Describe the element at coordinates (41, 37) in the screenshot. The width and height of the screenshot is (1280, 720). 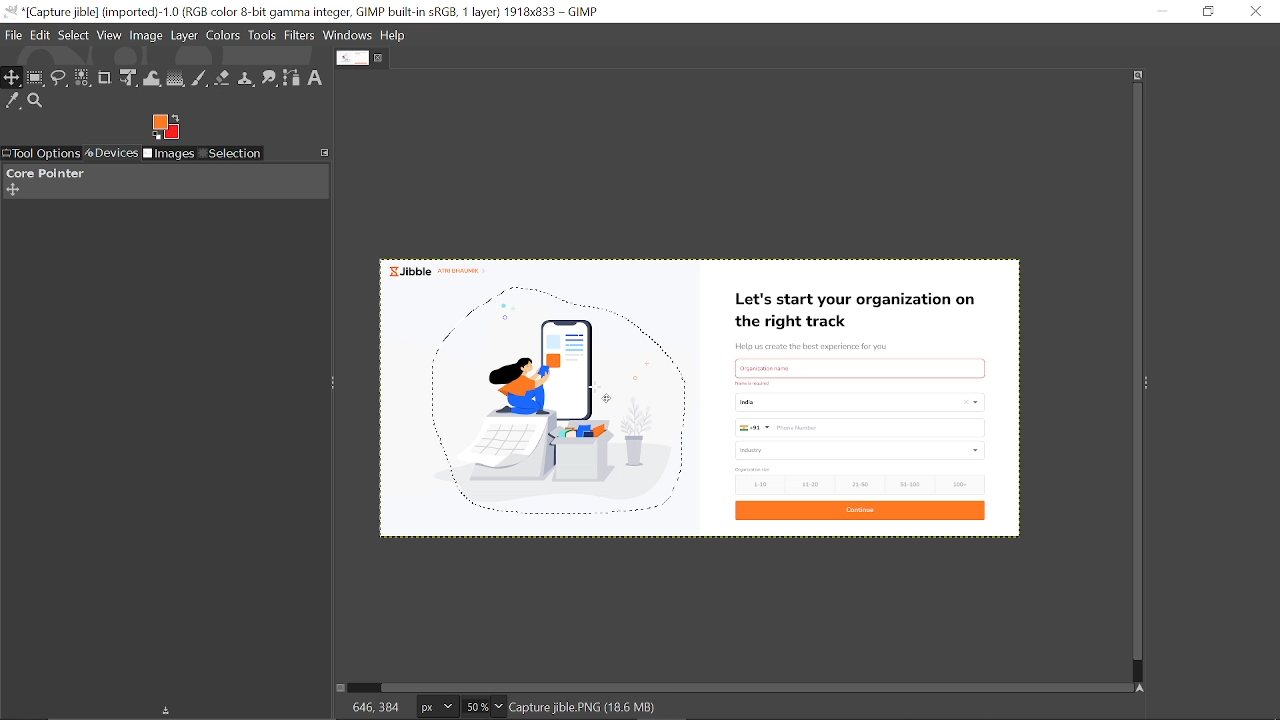
I see `Edit` at that location.